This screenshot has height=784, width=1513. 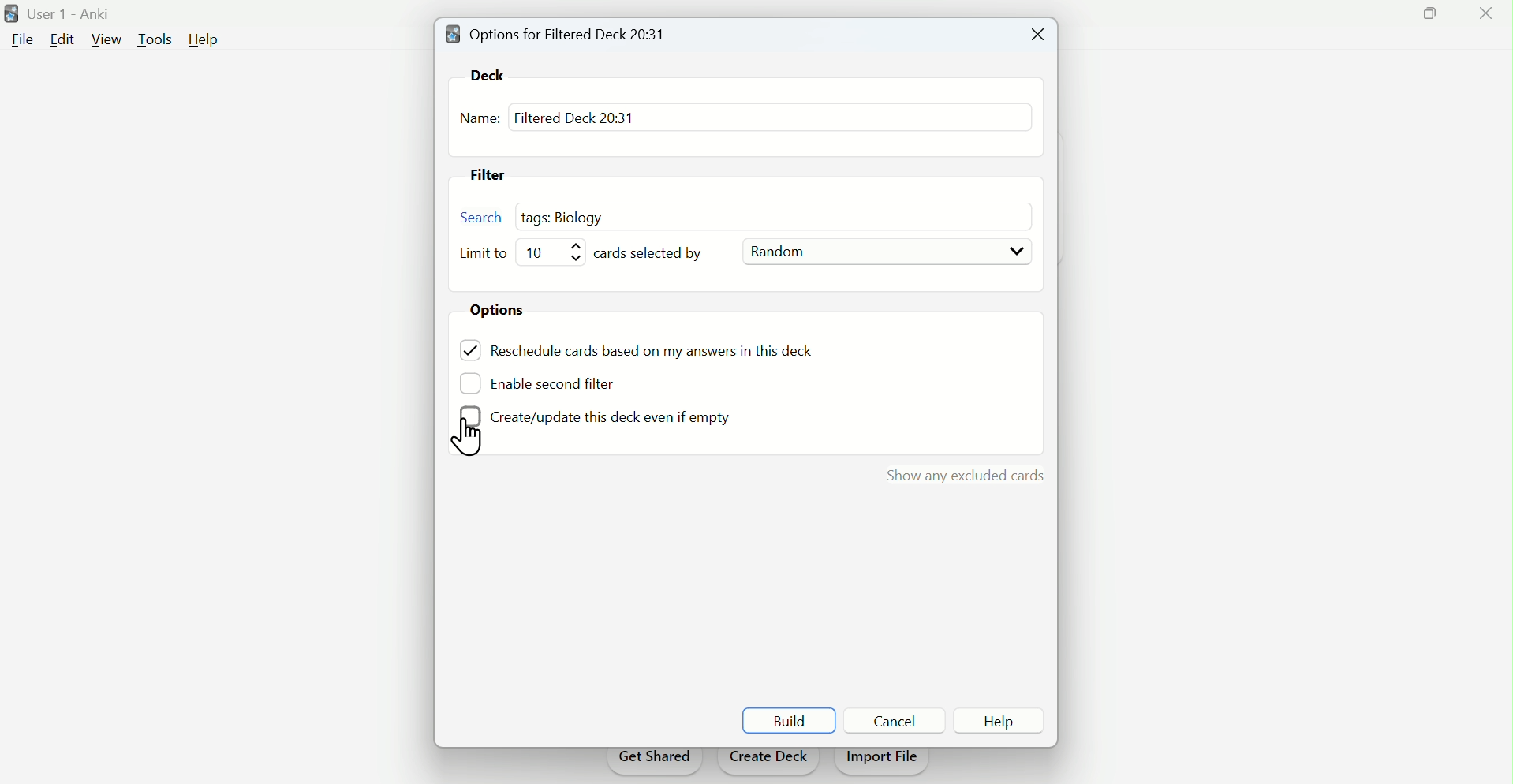 What do you see at coordinates (482, 216) in the screenshot?
I see `search` at bounding box center [482, 216].